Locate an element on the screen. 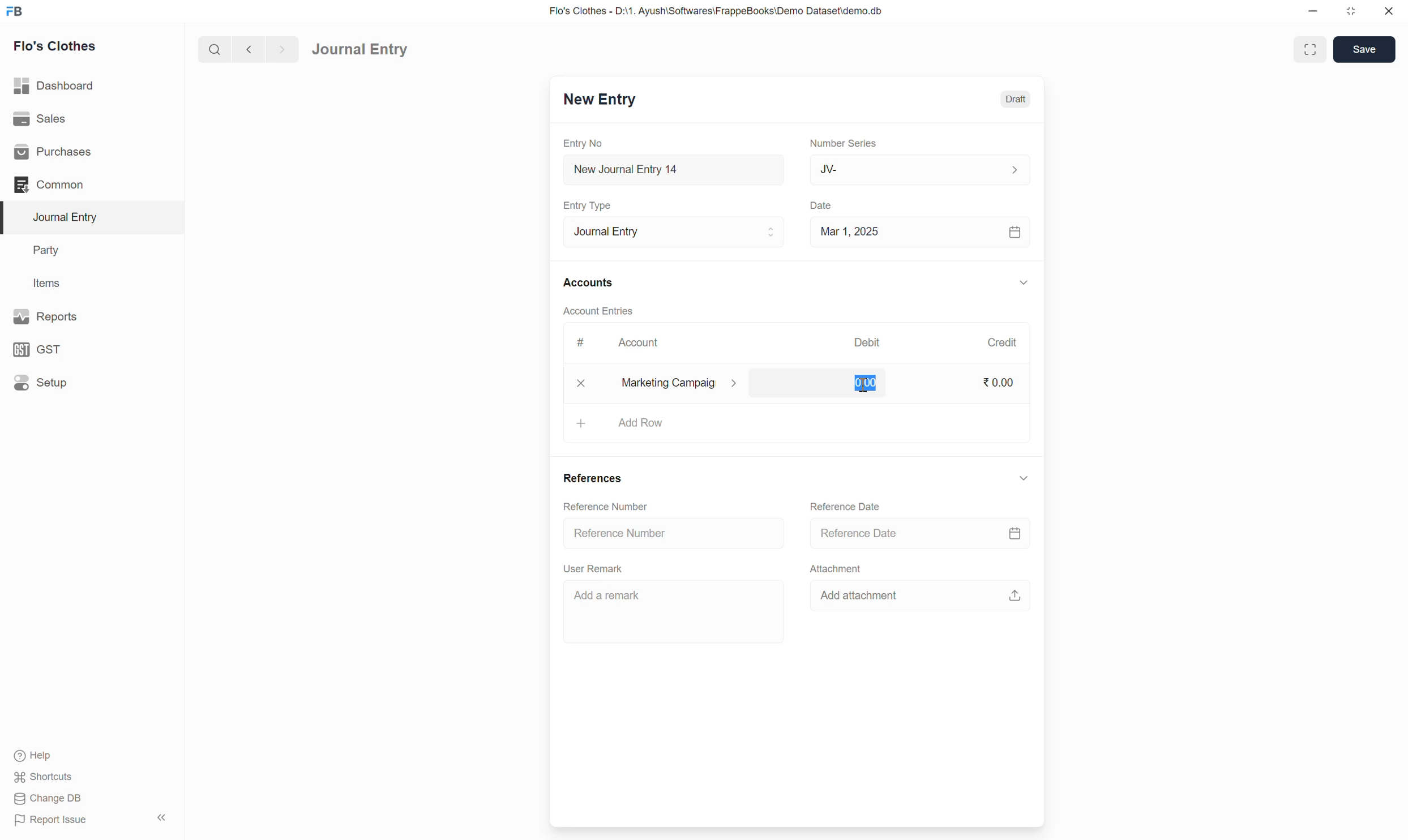 The image size is (1408, 840). Add a remark is located at coordinates (604, 595).